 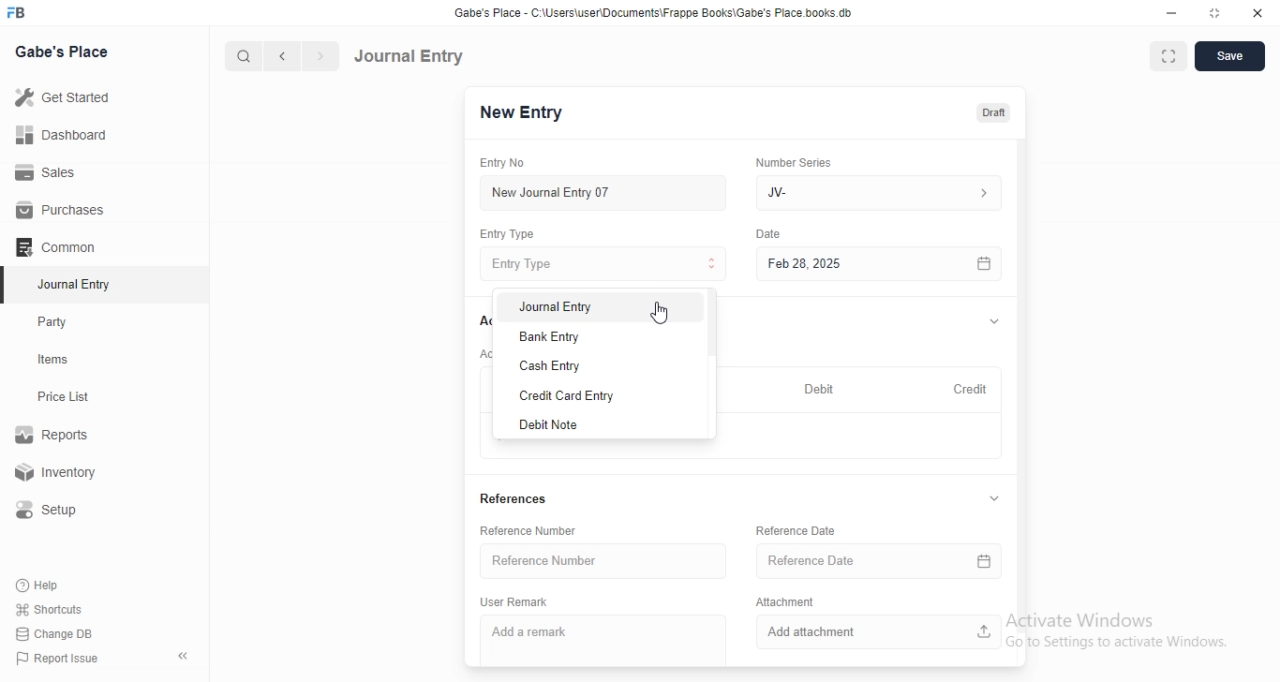 What do you see at coordinates (64, 51) in the screenshot?
I see `Gabe's Place` at bounding box center [64, 51].